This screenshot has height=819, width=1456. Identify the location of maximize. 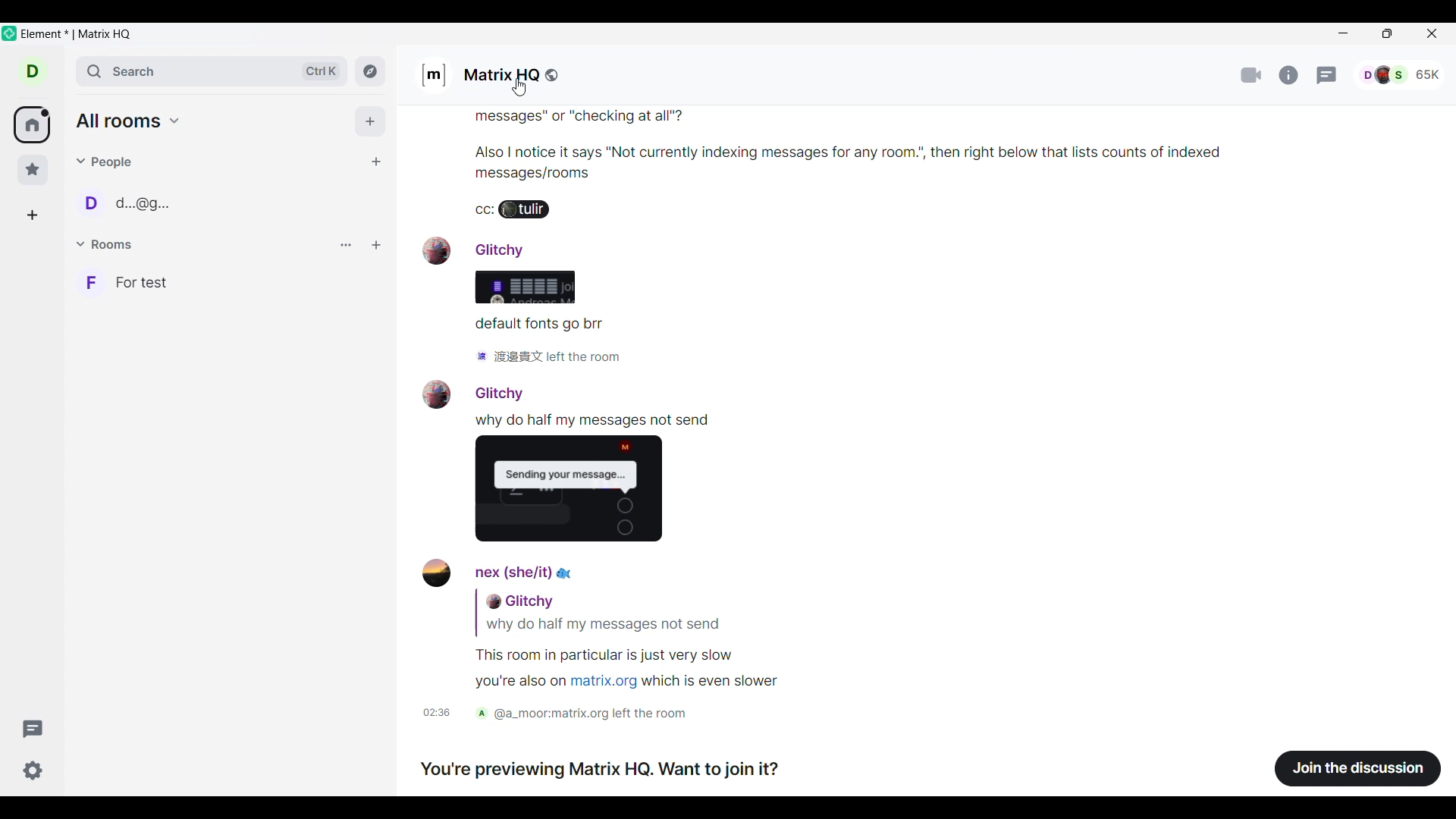
(1385, 36).